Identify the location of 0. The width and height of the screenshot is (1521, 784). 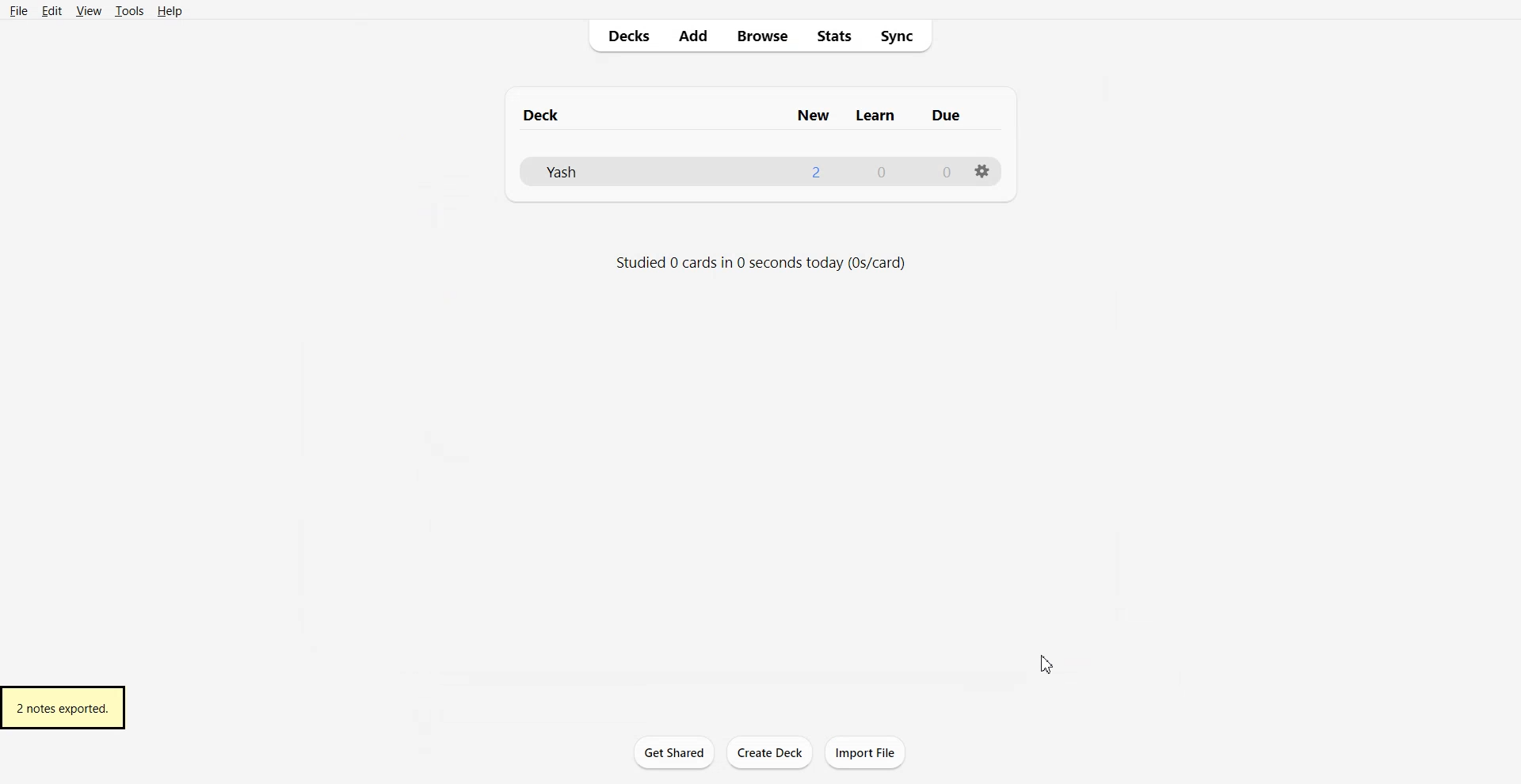
(879, 171).